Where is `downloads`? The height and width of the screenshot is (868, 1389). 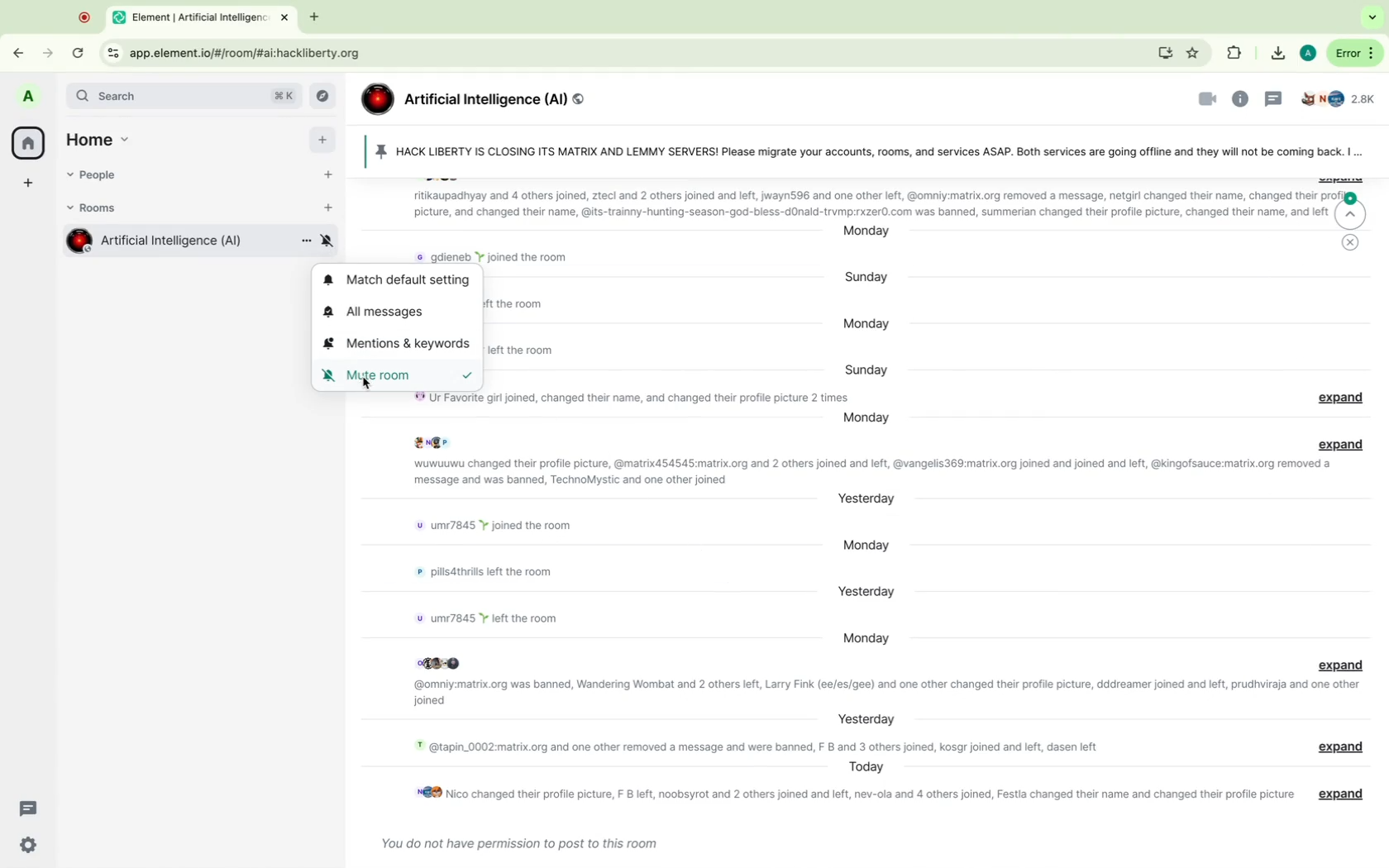
downloads is located at coordinates (1273, 51).